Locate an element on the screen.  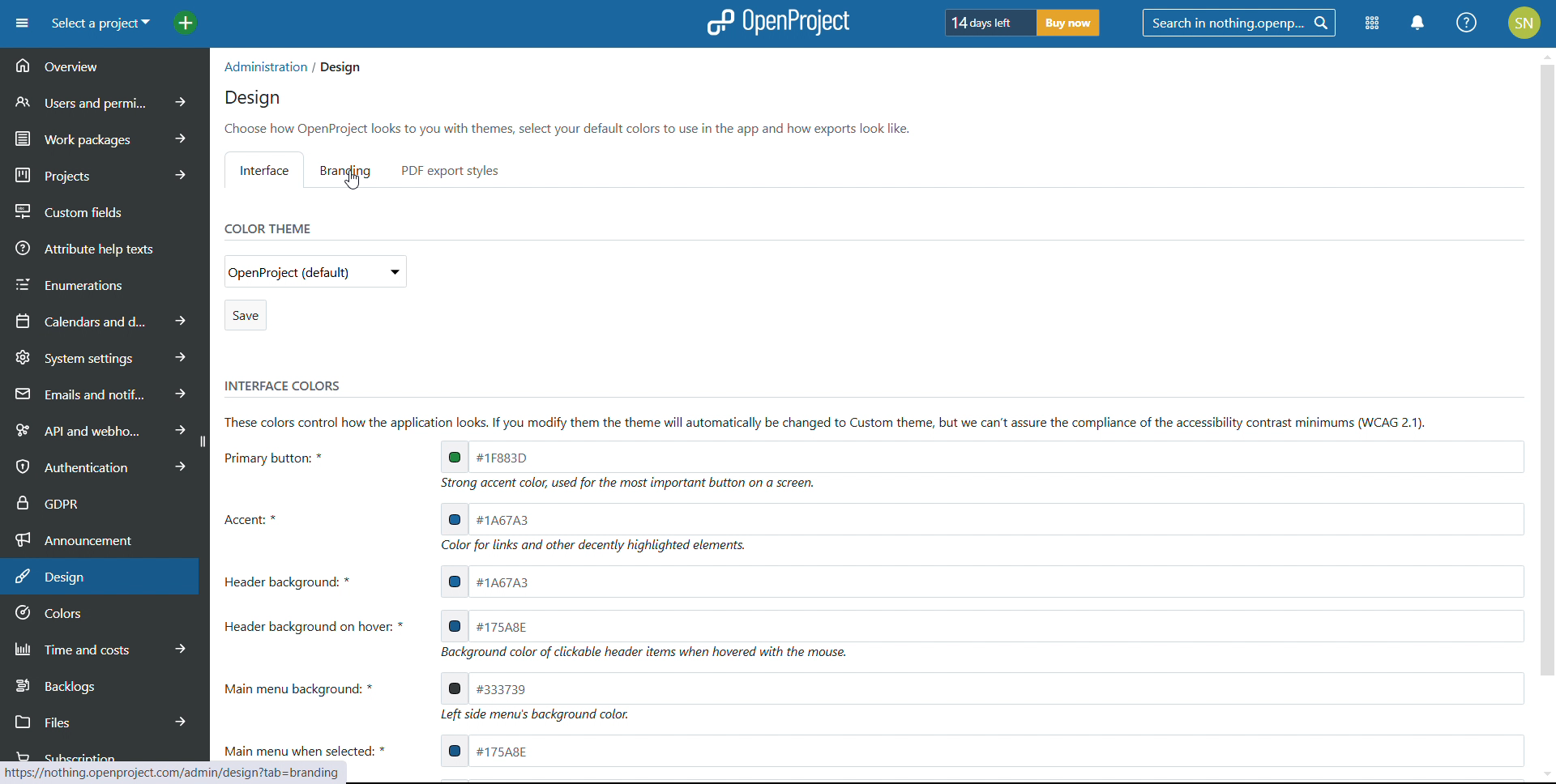
system settings is located at coordinates (104, 356).